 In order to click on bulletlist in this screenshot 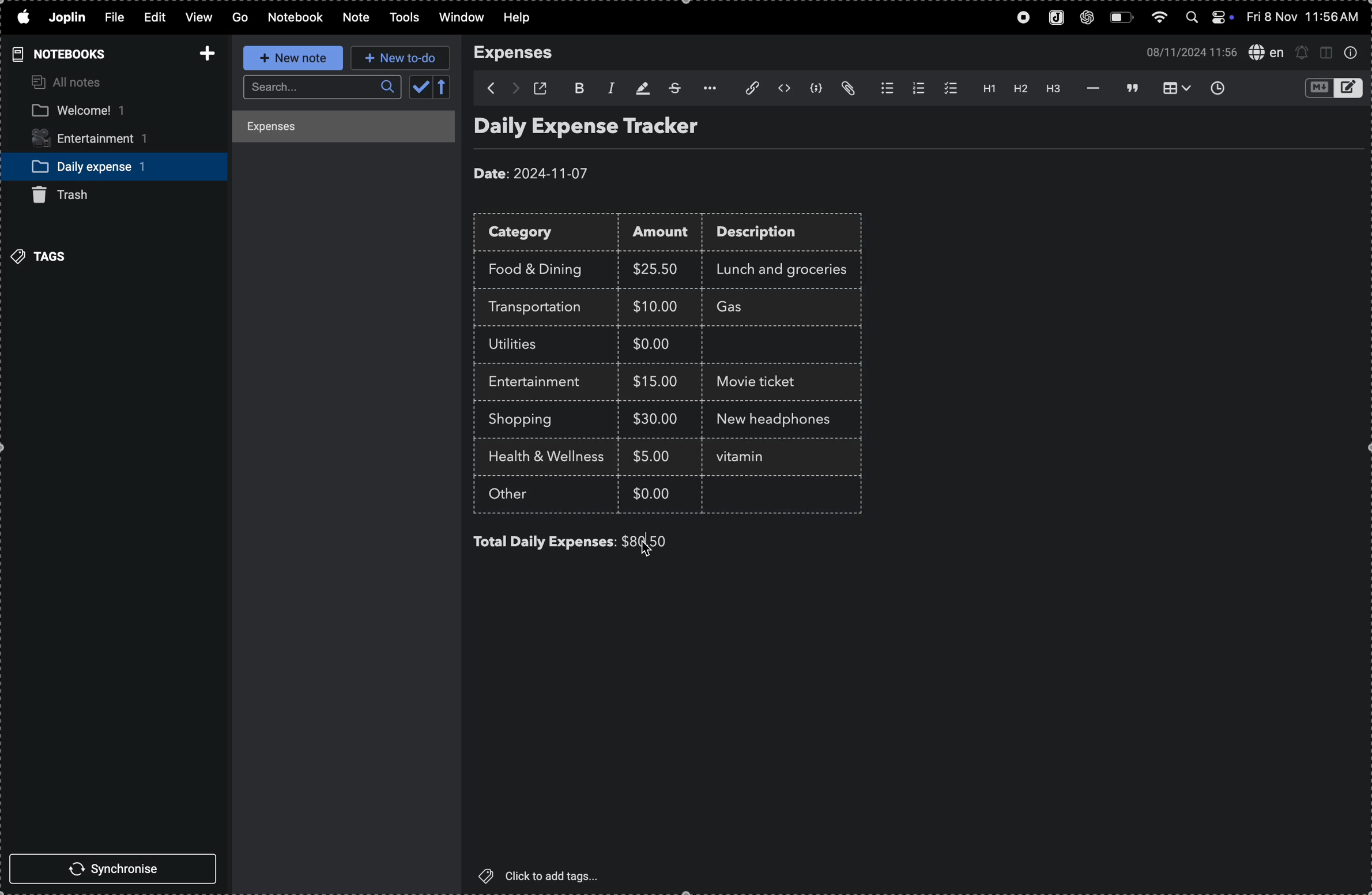, I will do `click(884, 89)`.